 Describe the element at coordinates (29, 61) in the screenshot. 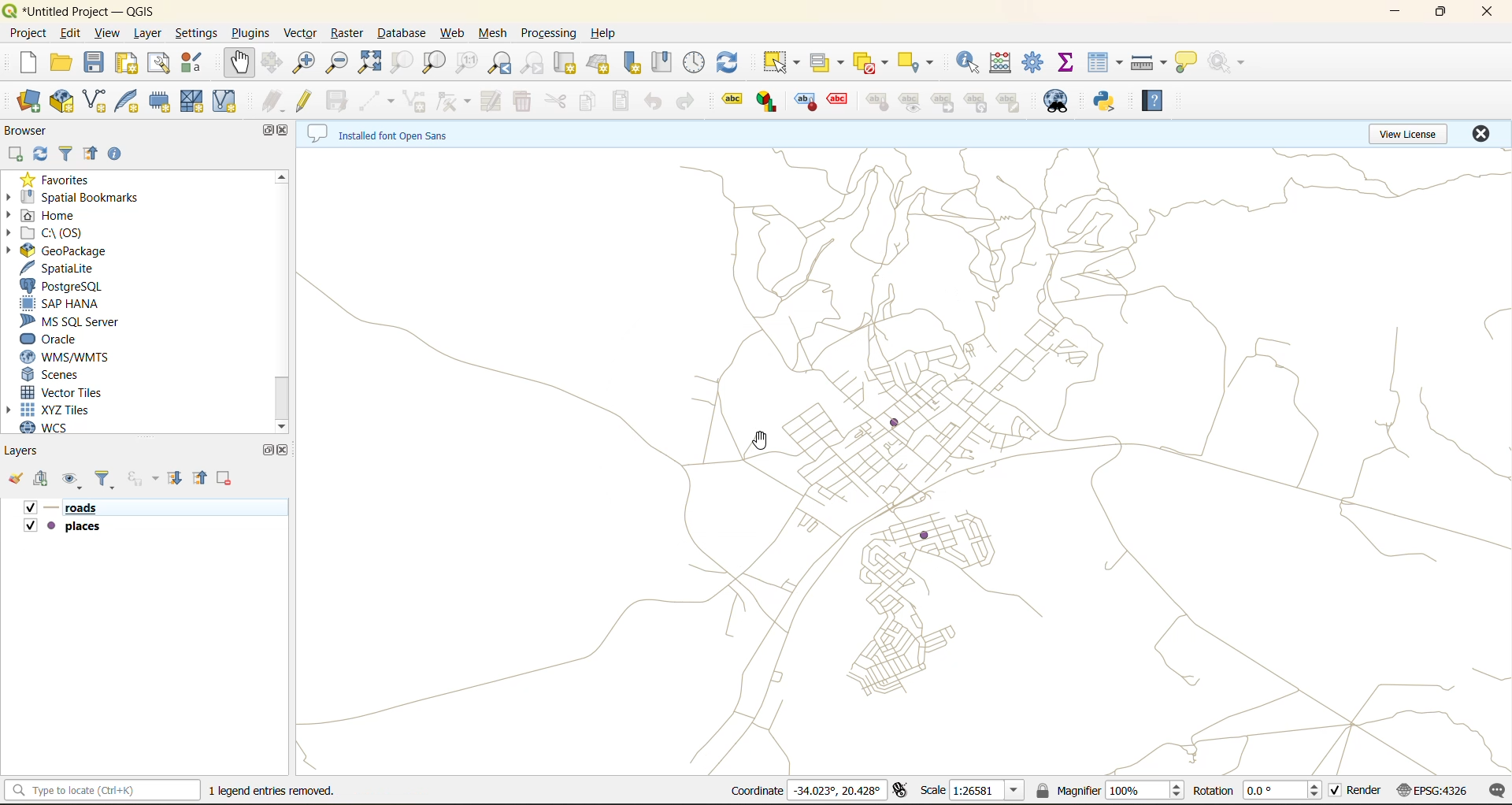

I see `new` at that location.